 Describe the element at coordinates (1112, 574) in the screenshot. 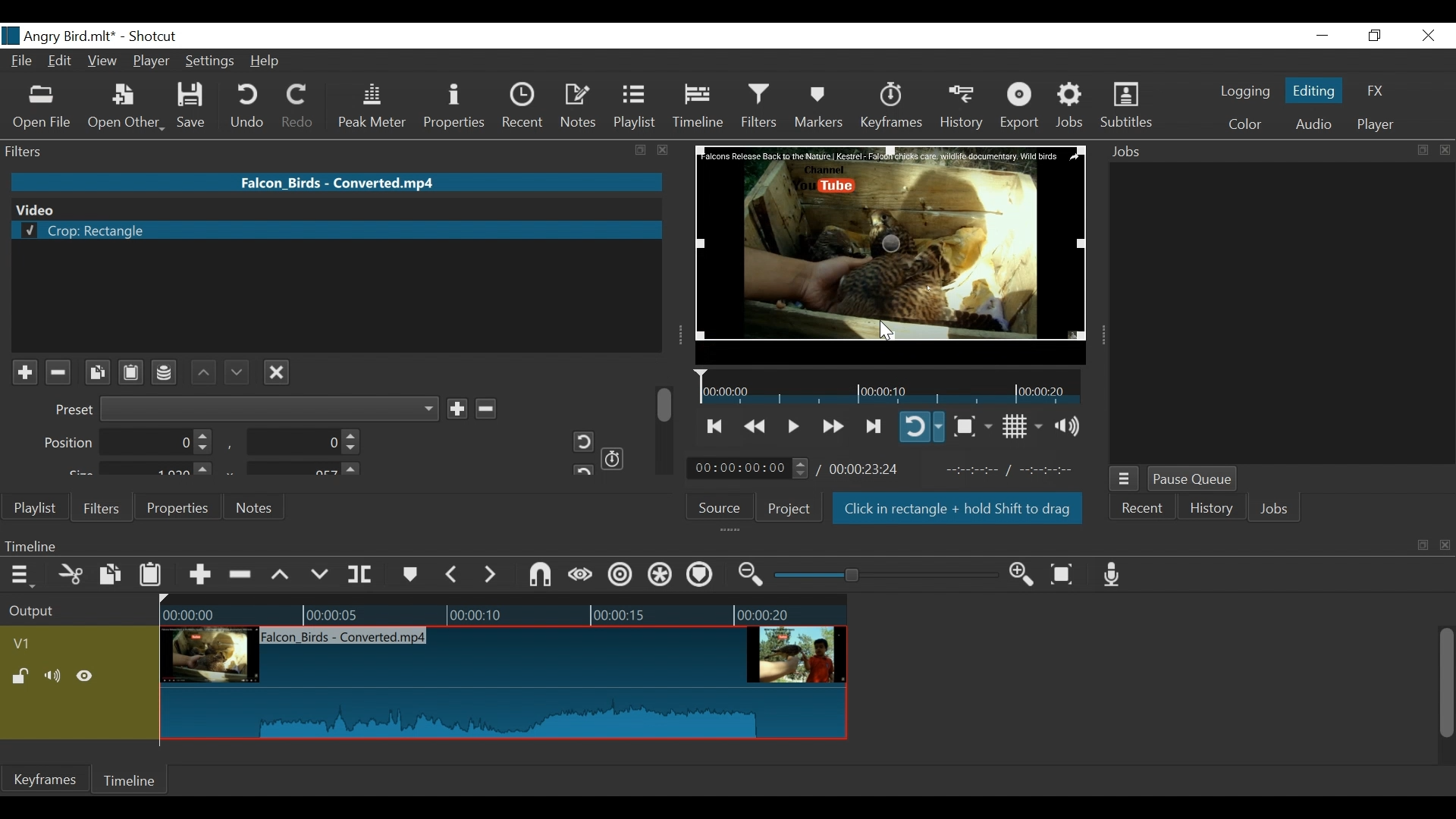

I see `Record audio` at that location.